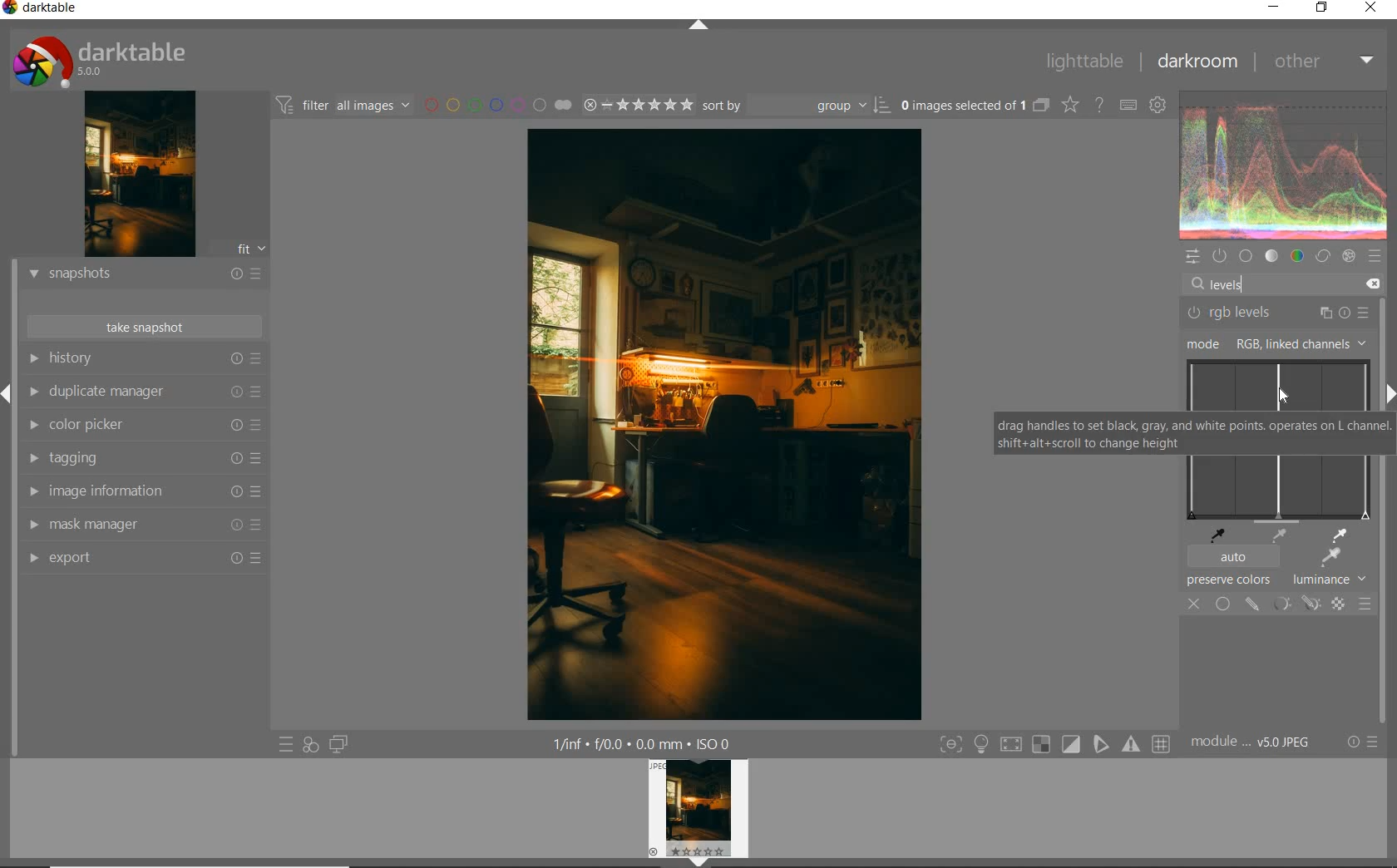  What do you see at coordinates (96, 61) in the screenshot?
I see `system logo` at bounding box center [96, 61].